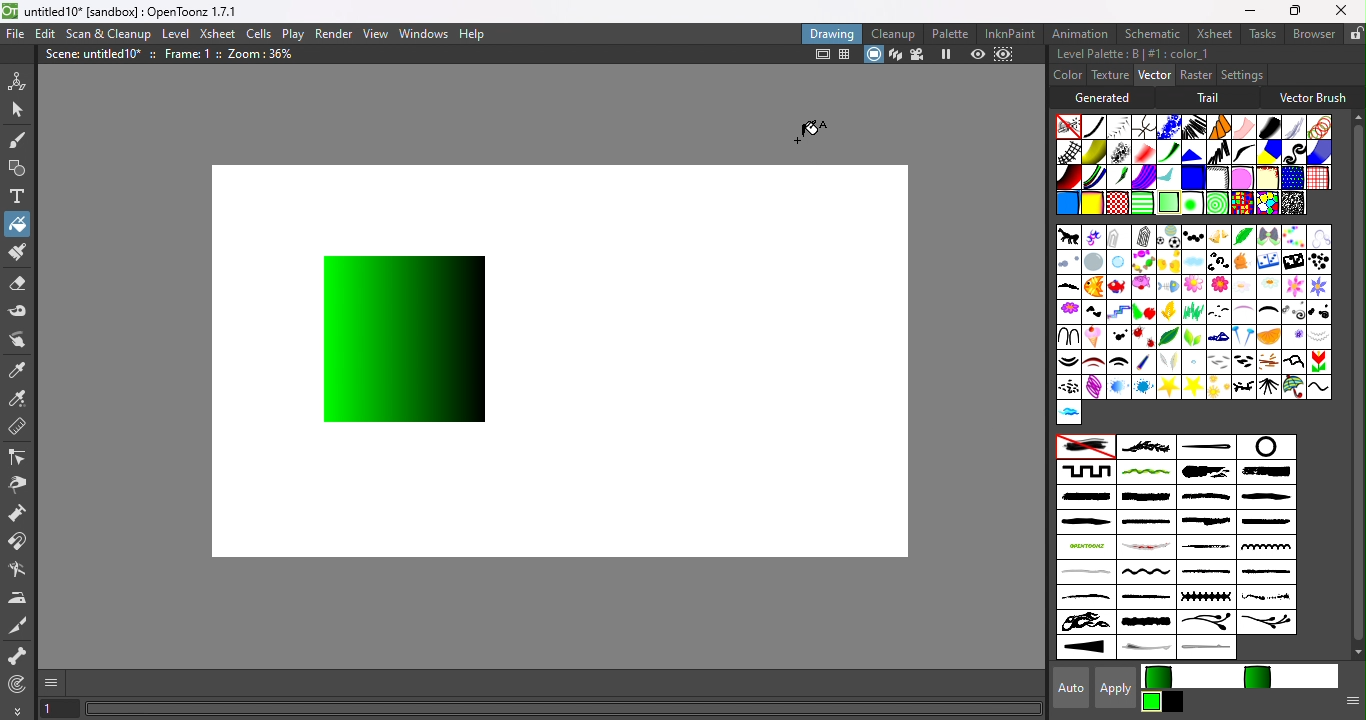  Describe the element at coordinates (1006, 54) in the screenshot. I see `Sub-camera view` at that location.